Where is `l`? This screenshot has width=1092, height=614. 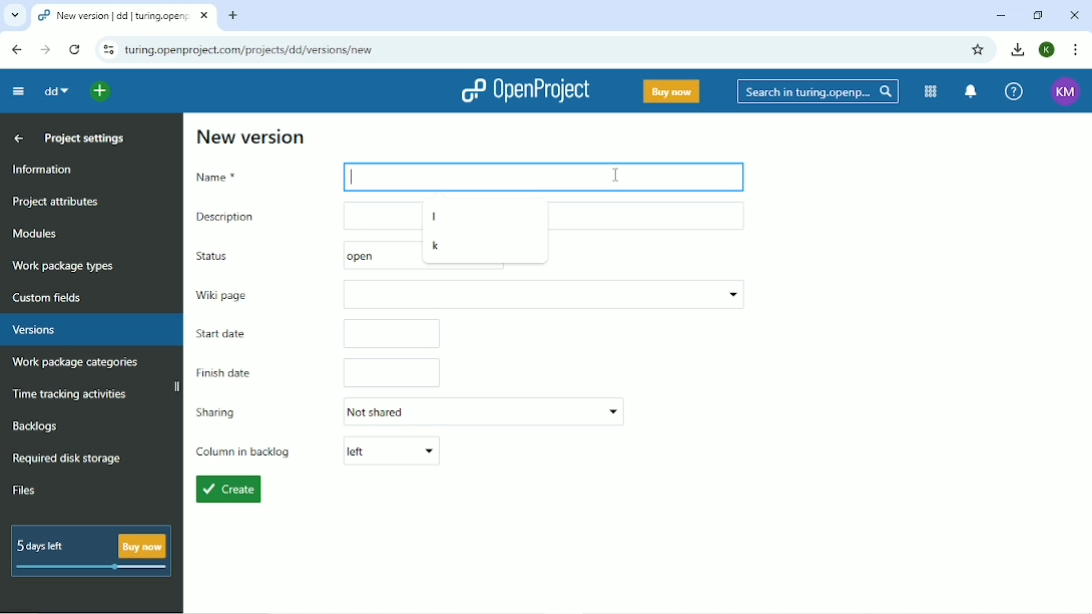
l is located at coordinates (435, 216).